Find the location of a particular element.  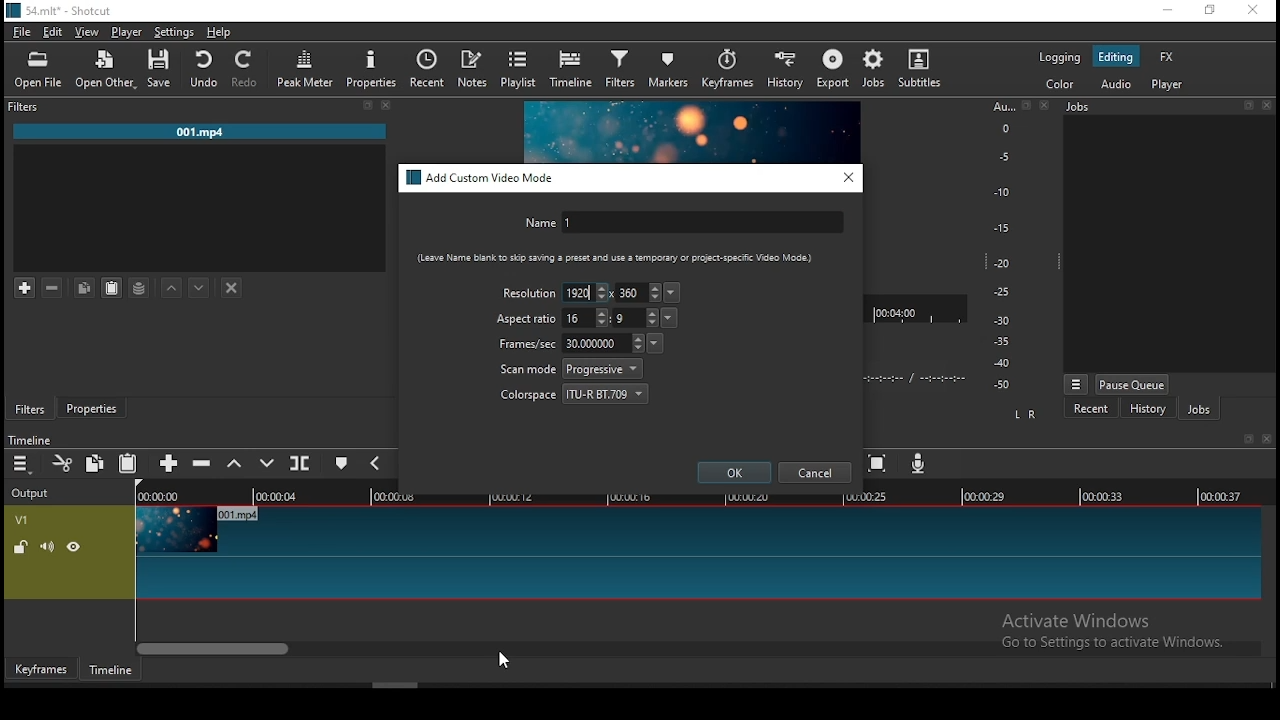

playlist is located at coordinates (520, 68).